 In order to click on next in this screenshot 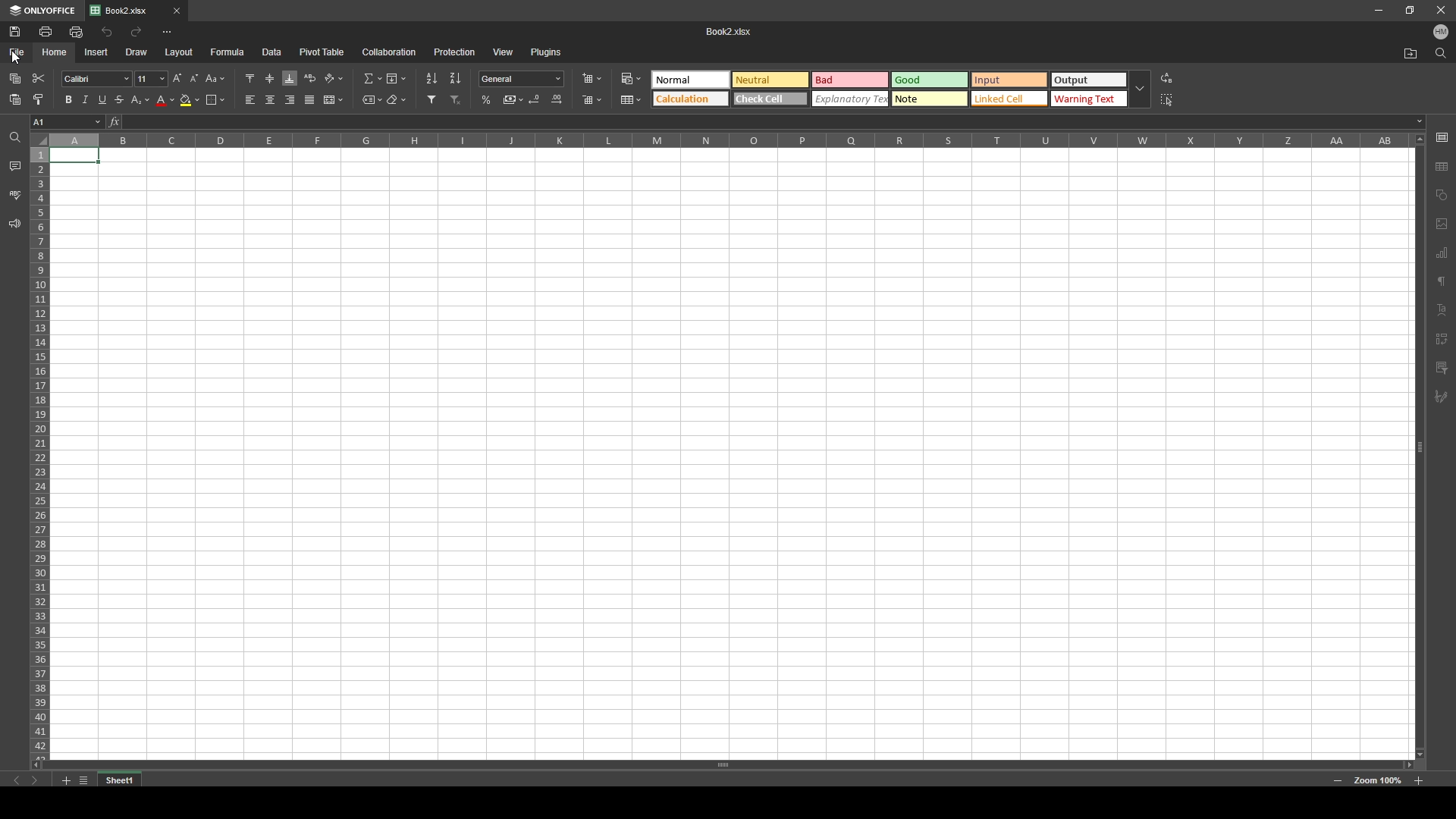, I will do `click(34, 781)`.